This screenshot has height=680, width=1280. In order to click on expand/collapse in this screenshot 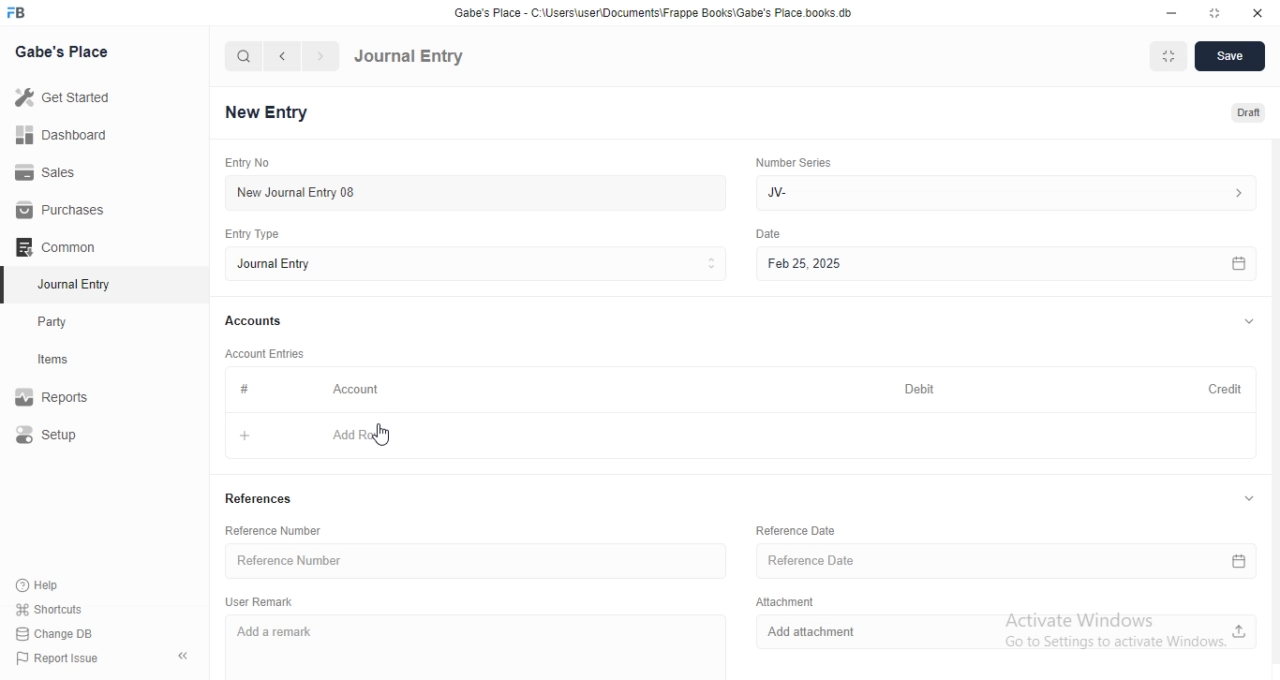, I will do `click(1248, 323)`.